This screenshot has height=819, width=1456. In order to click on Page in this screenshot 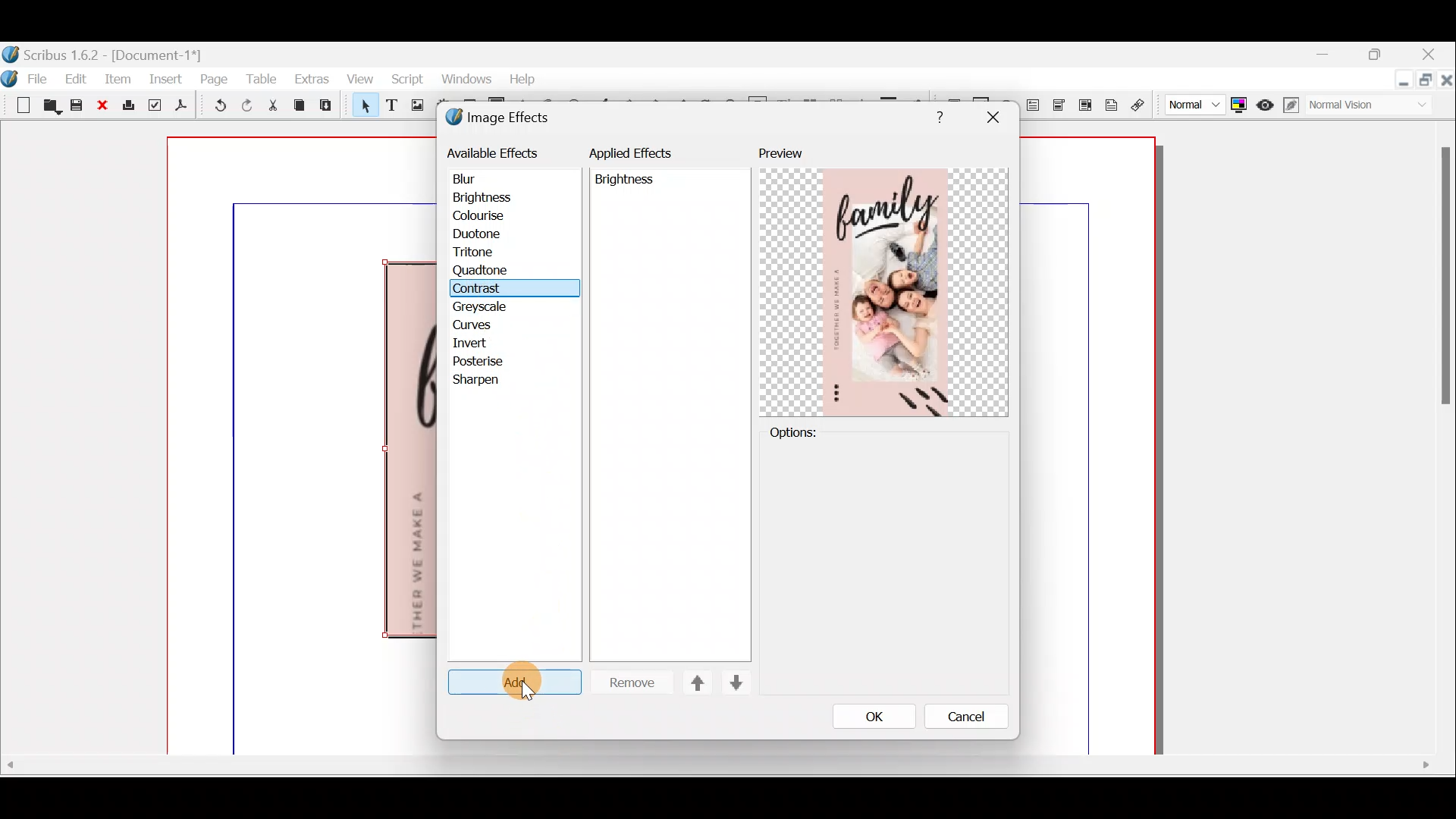, I will do `click(215, 78)`.